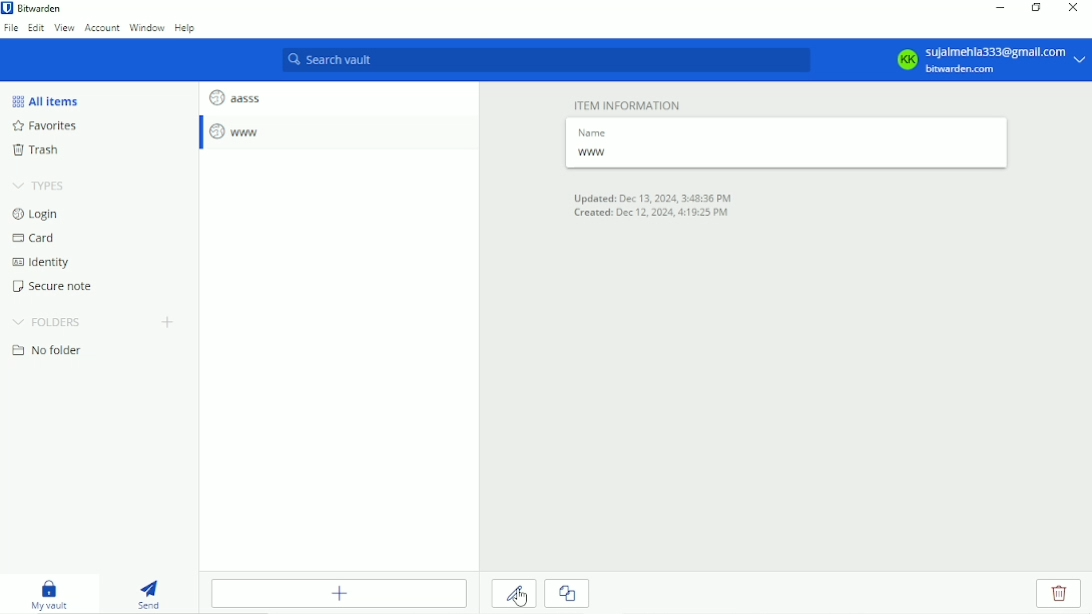  I want to click on No folder, so click(47, 351).